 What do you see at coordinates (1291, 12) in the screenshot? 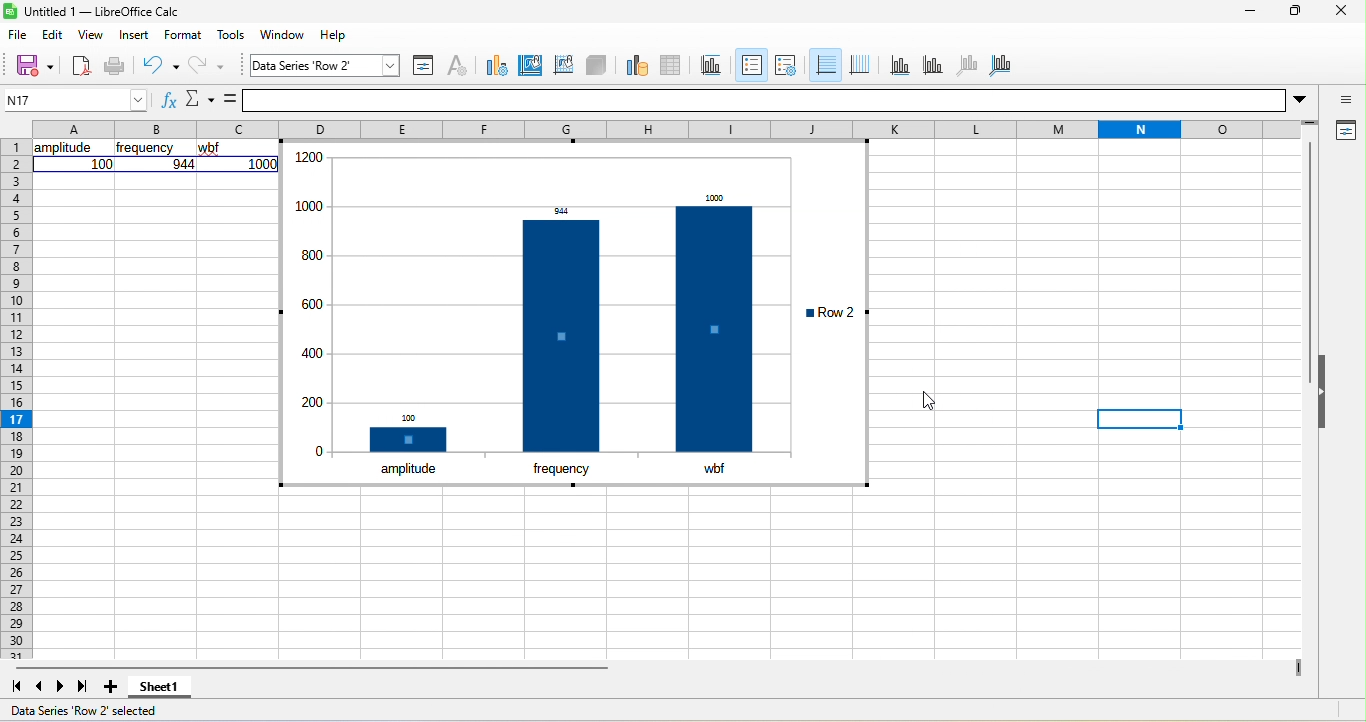
I see `maximize` at bounding box center [1291, 12].